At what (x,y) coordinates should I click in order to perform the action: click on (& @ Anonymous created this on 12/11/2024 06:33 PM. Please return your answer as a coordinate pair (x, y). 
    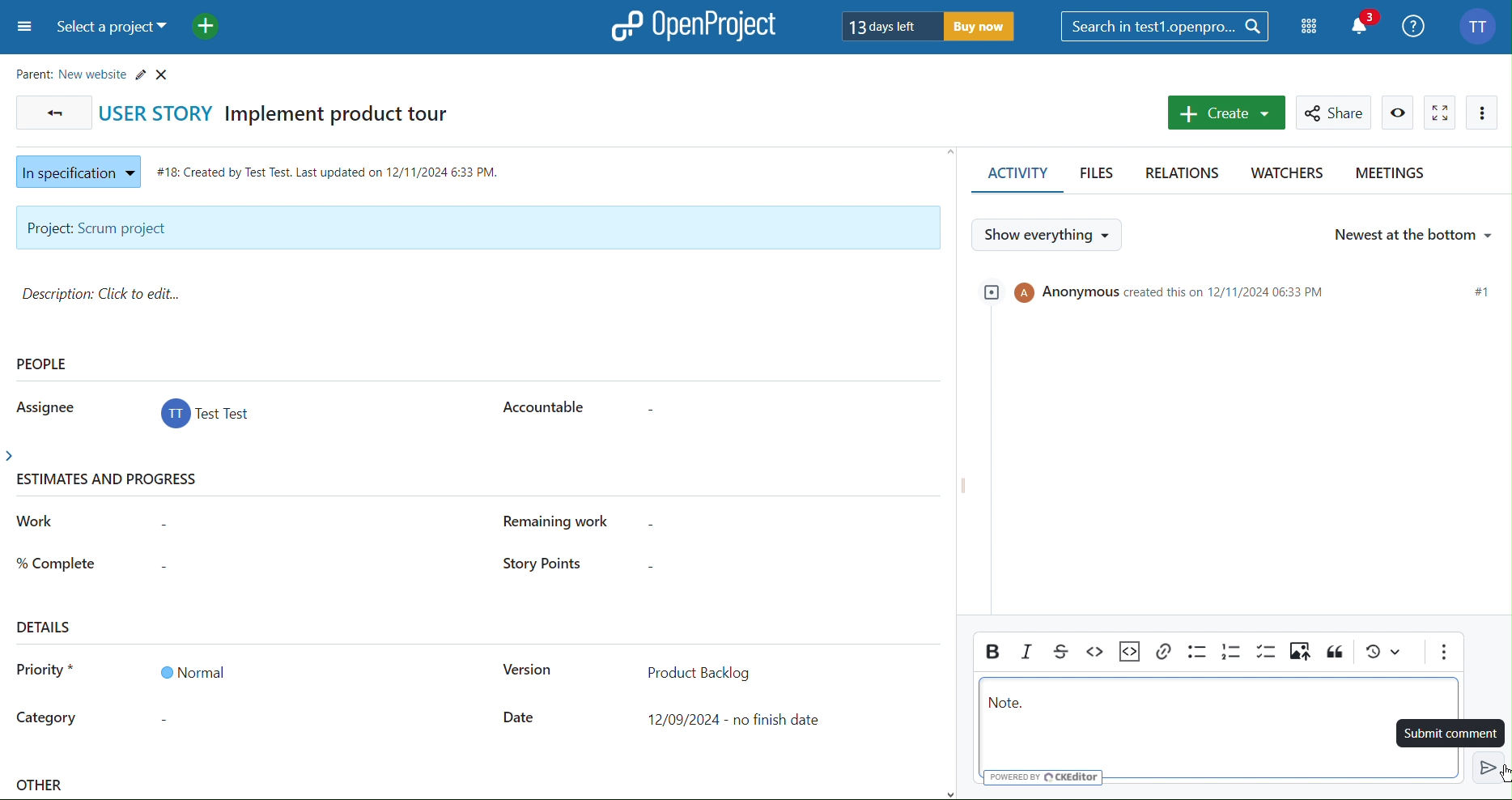
    Looking at the image, I should click on (1161, 291).